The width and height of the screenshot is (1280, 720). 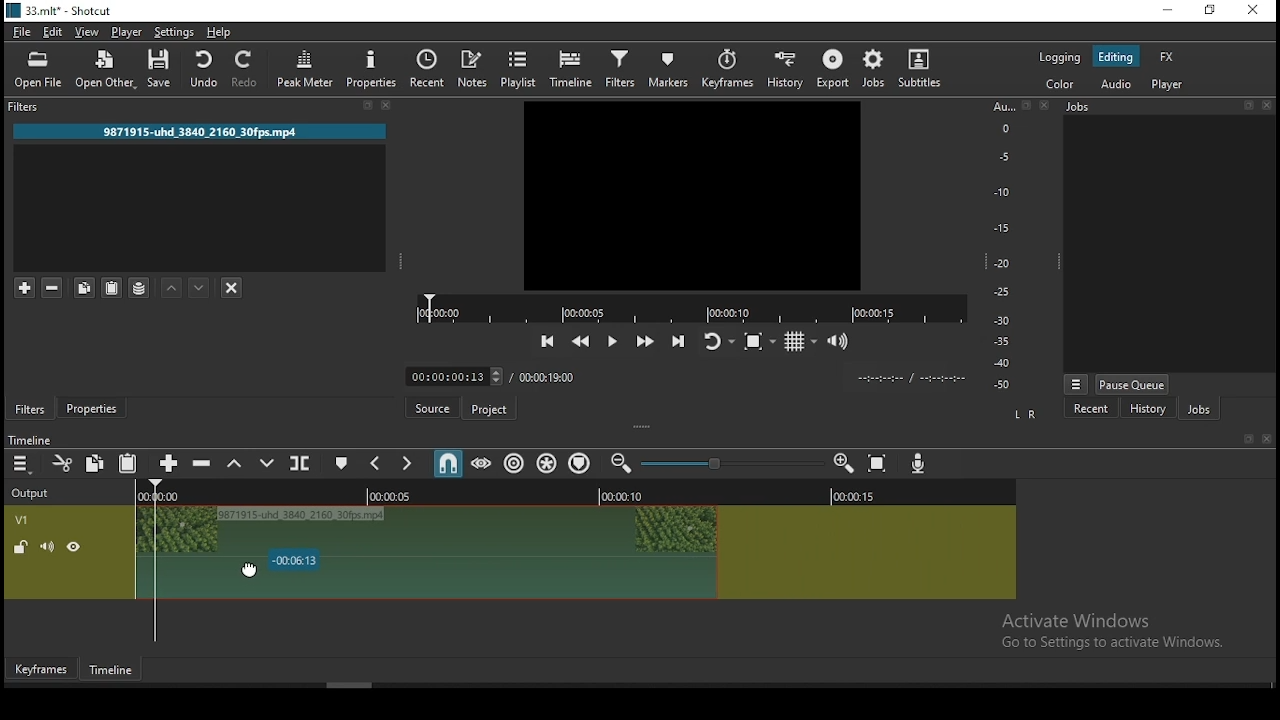 What do you see at coordinates (201, 286) in the screenshot?
I see `move filter down` at bounding box center [201, 286].